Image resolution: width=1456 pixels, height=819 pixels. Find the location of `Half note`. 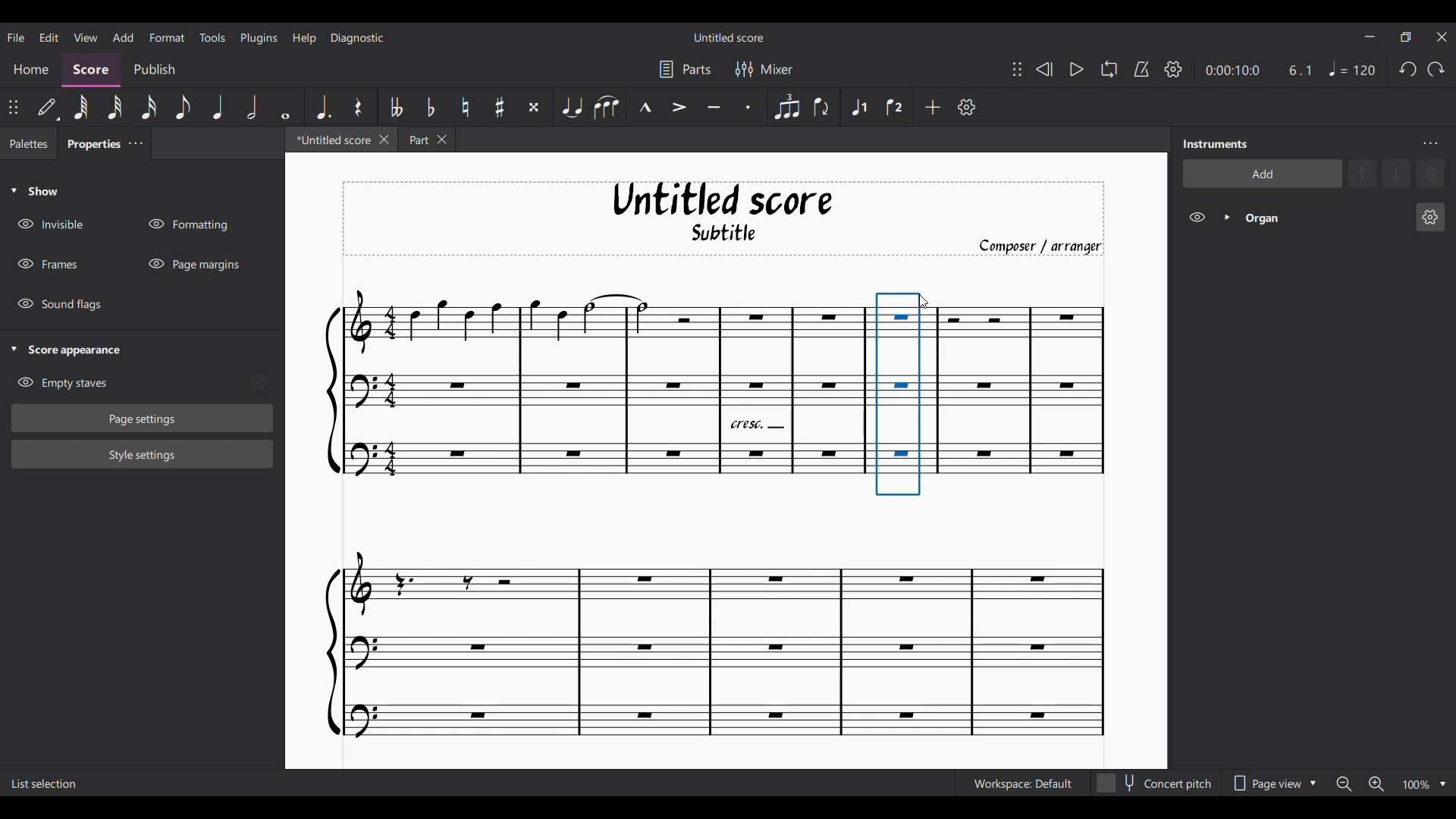

Half note is located at coordinates (252, 107).